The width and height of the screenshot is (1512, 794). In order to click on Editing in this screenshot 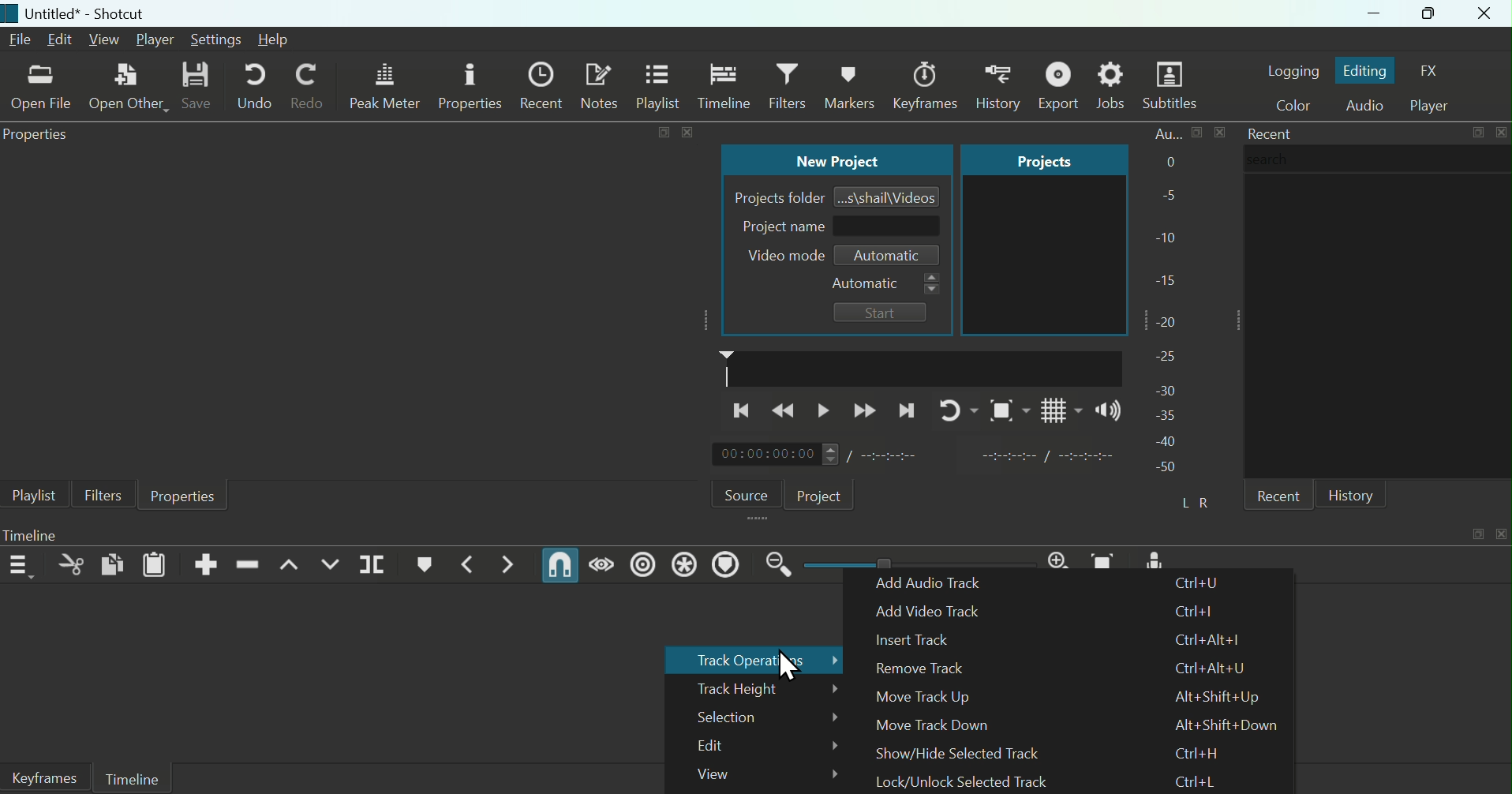, I will do `click(1367, 69)`.